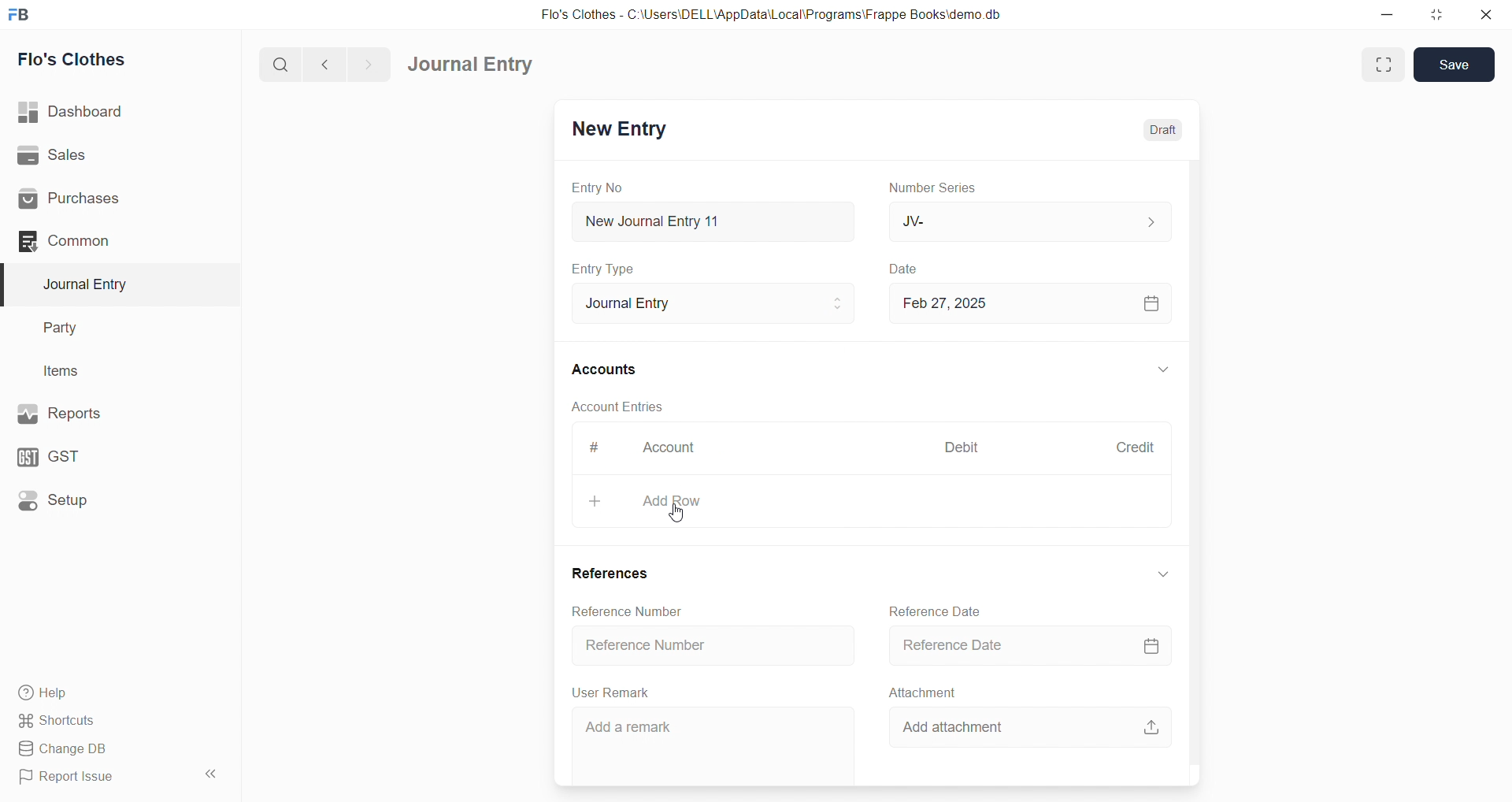  Describe the element at coordinates (98, 694) in the screenshot. I see `Help` at that location.